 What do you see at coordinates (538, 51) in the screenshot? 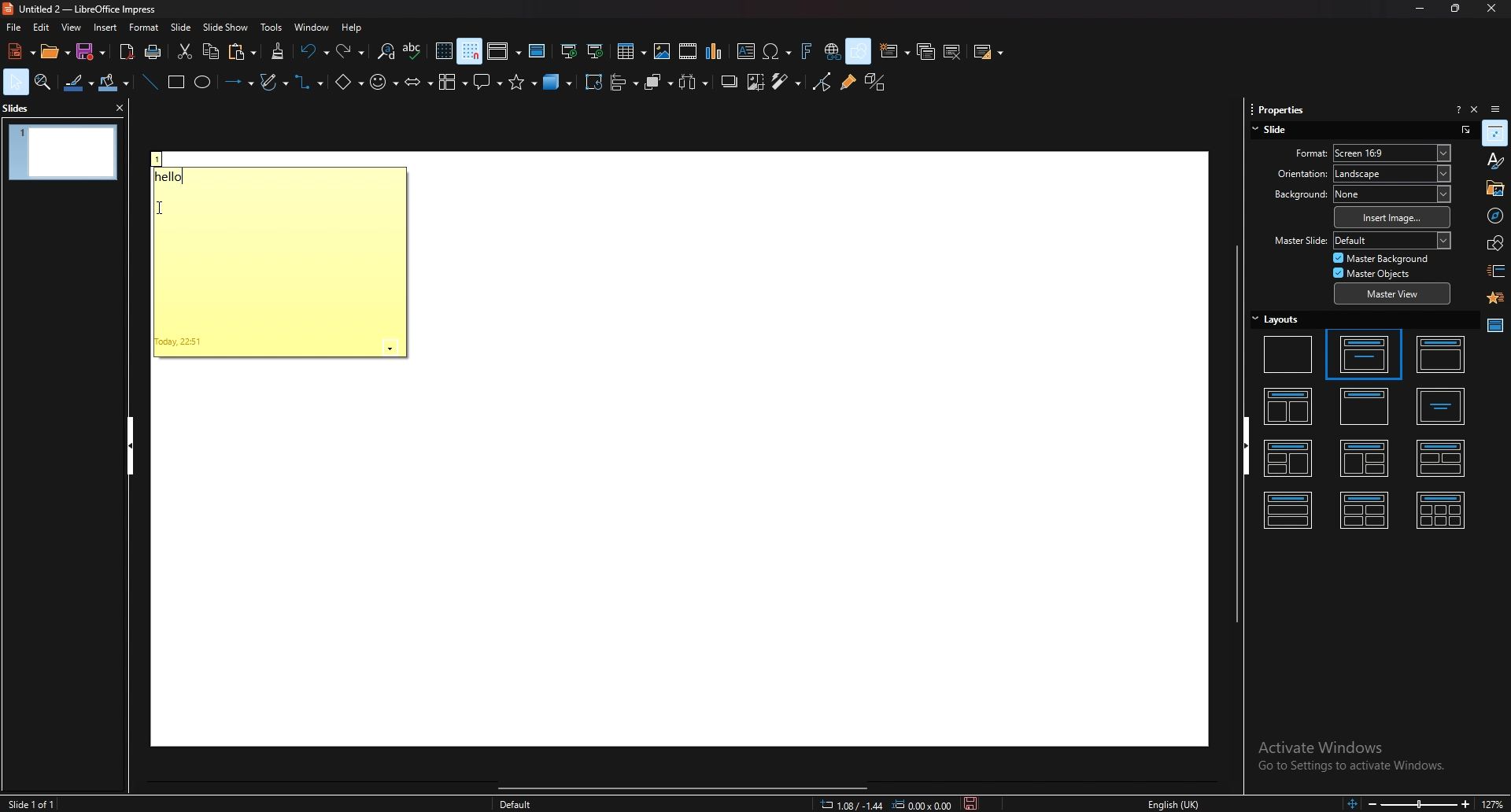
I see `master slides` at bounding box center [538, 51].